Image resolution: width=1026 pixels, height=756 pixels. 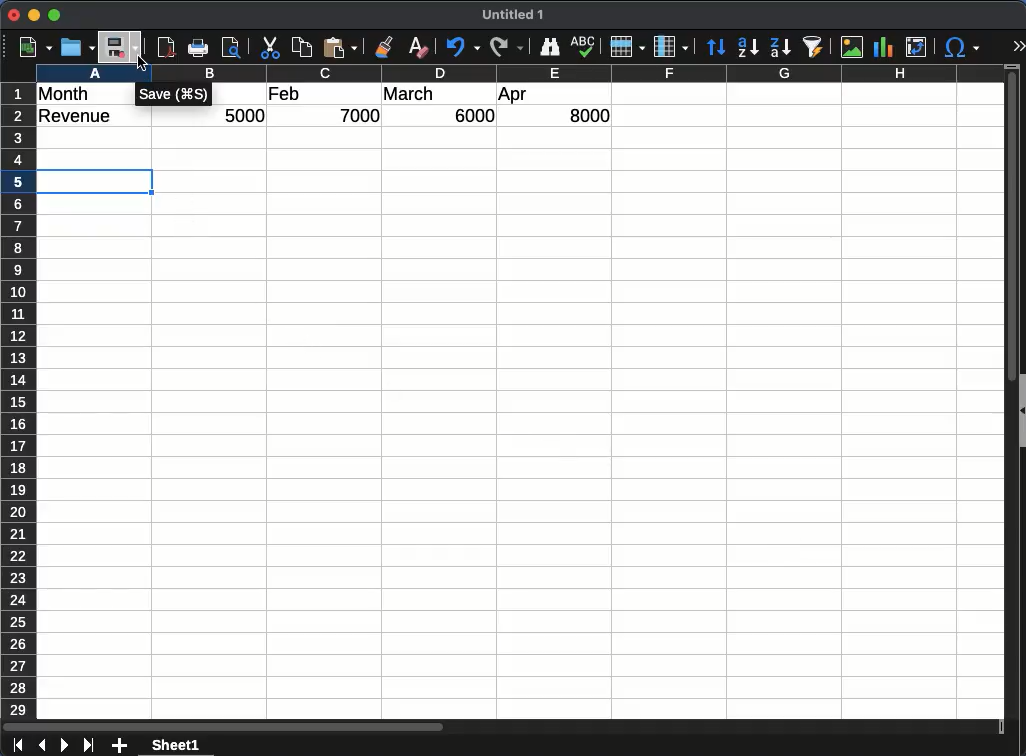 What do you see at coordinates (517, 15) in the screenshot?
I see `Untitled 1` at bounding box center [517, 15].